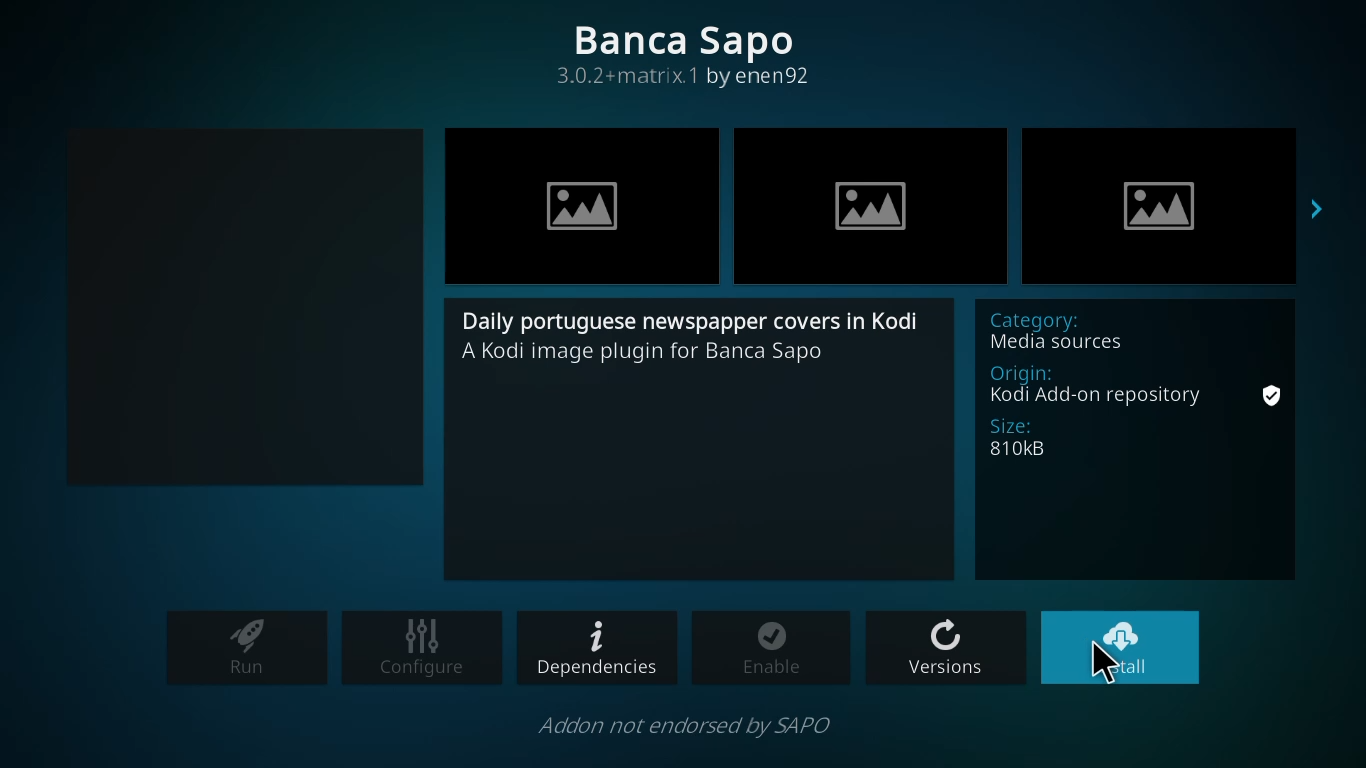  I want to click on origin, so click(1100, 383).